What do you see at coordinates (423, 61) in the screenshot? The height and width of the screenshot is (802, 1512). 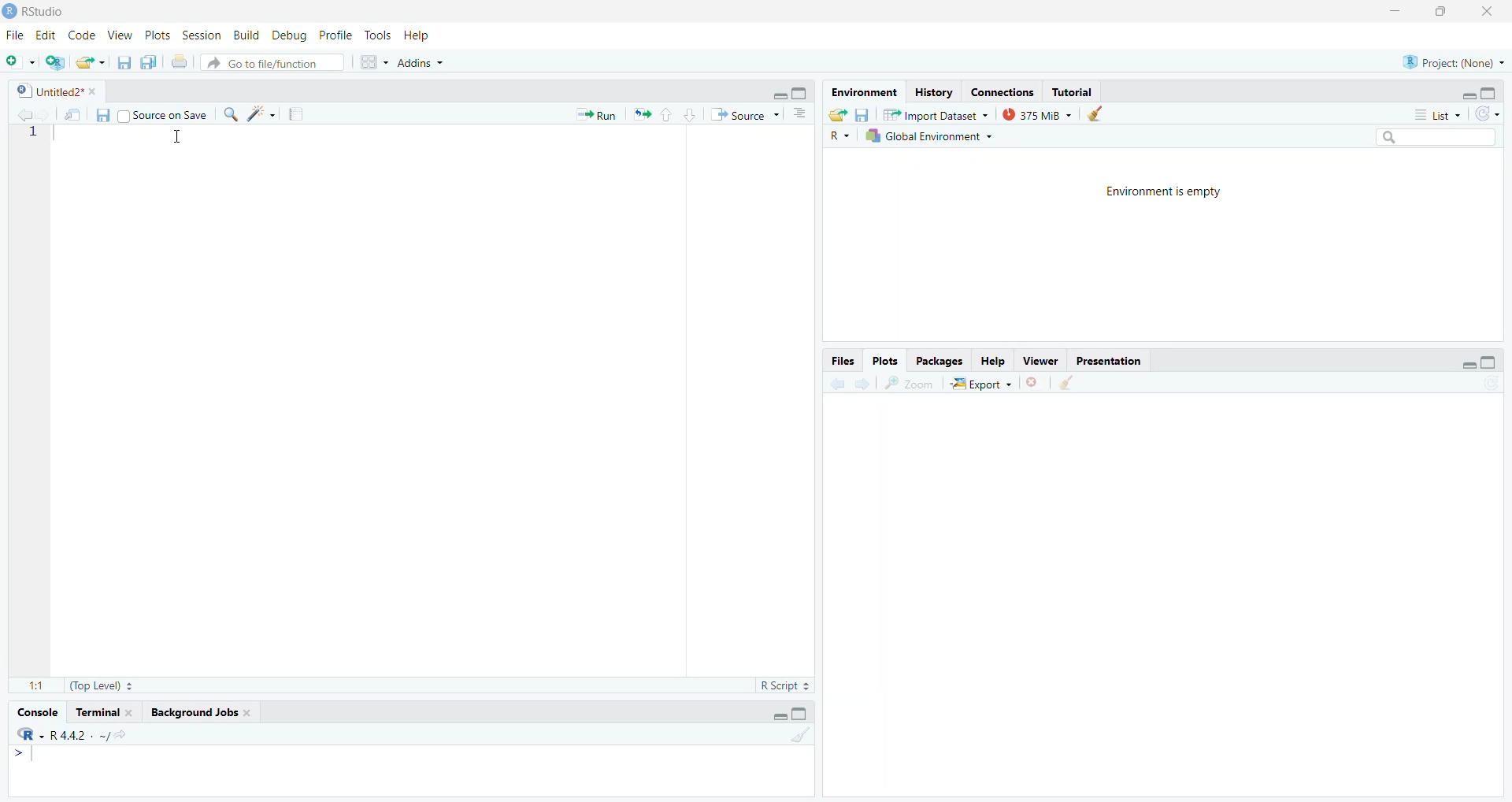 I see ` Addins ` at bounding box center [423, 61].